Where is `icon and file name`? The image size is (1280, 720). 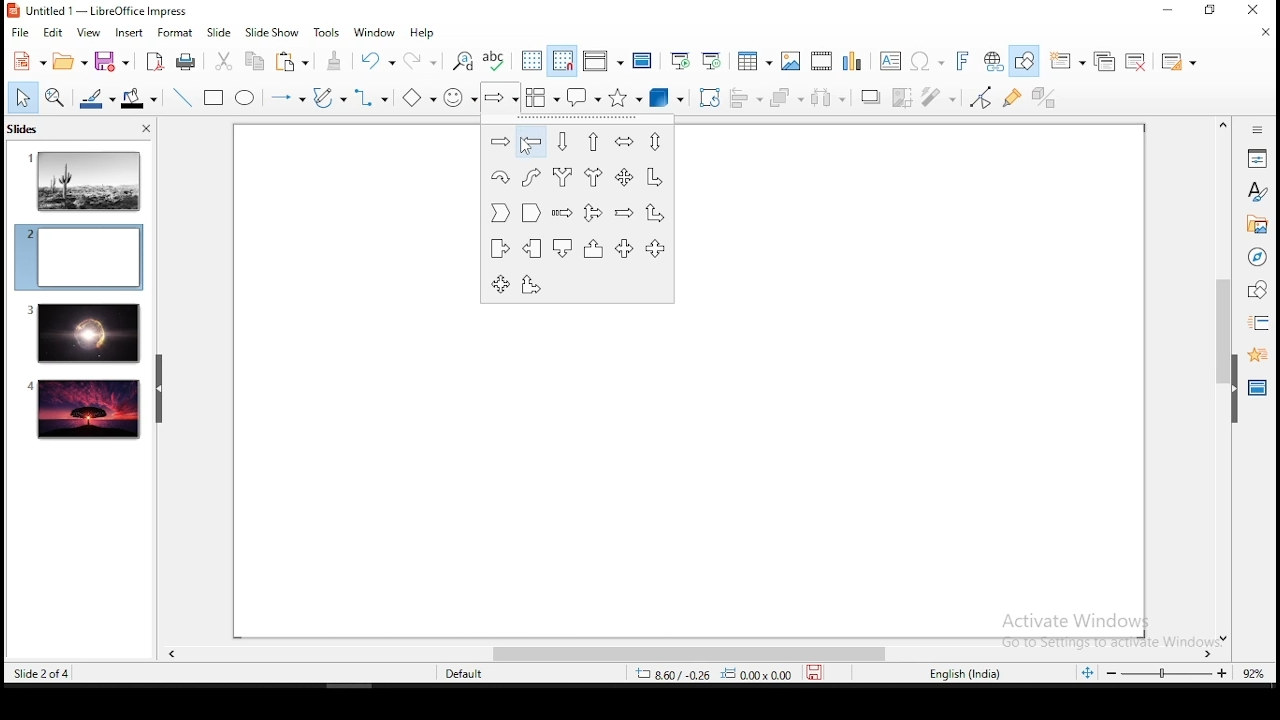 icon and file name is located at coordinates (99, 10).